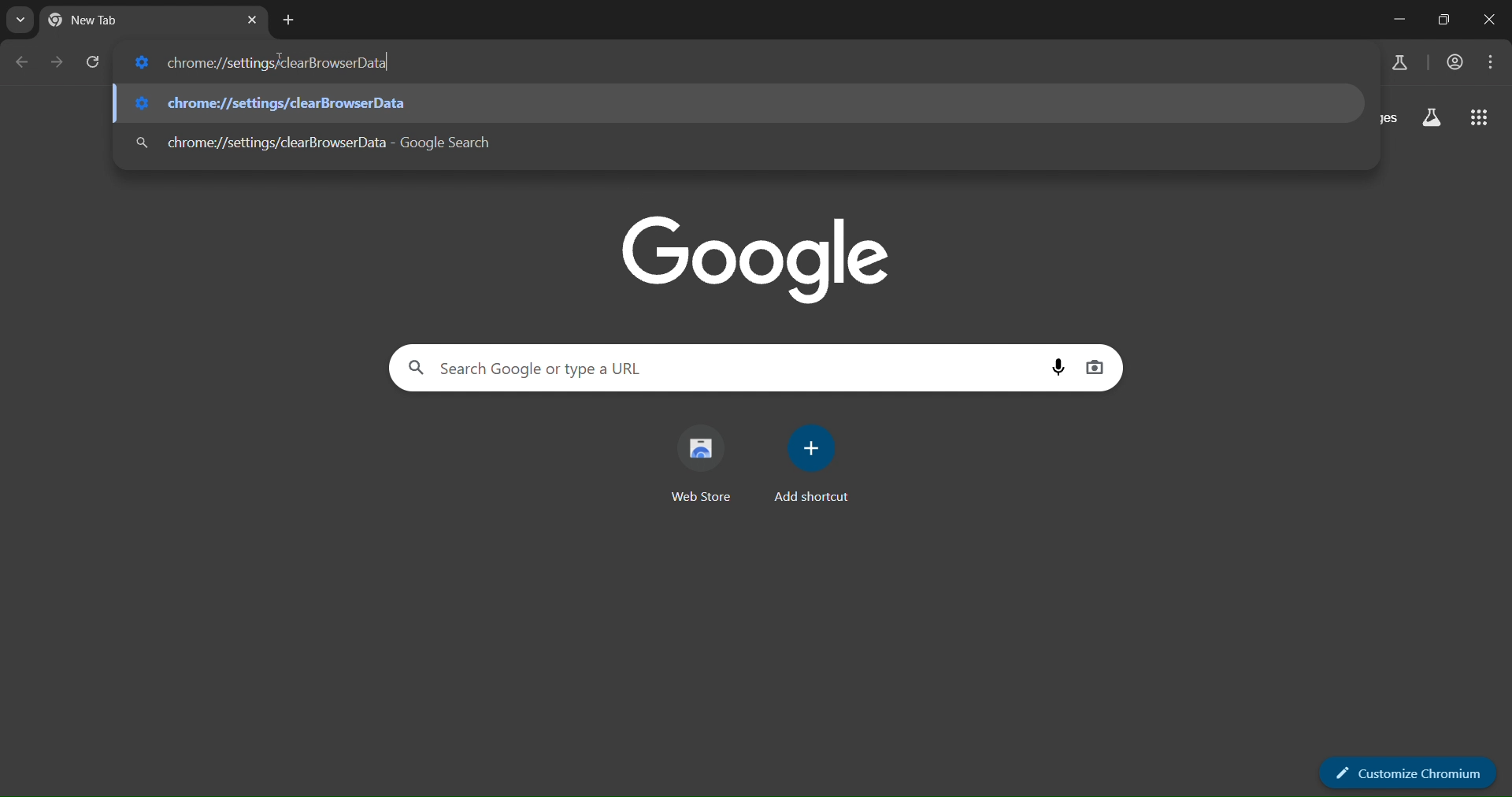 Image resolution: width=1512 pixels, height=797 pixels. I want to click on reload, so click(94, 61).